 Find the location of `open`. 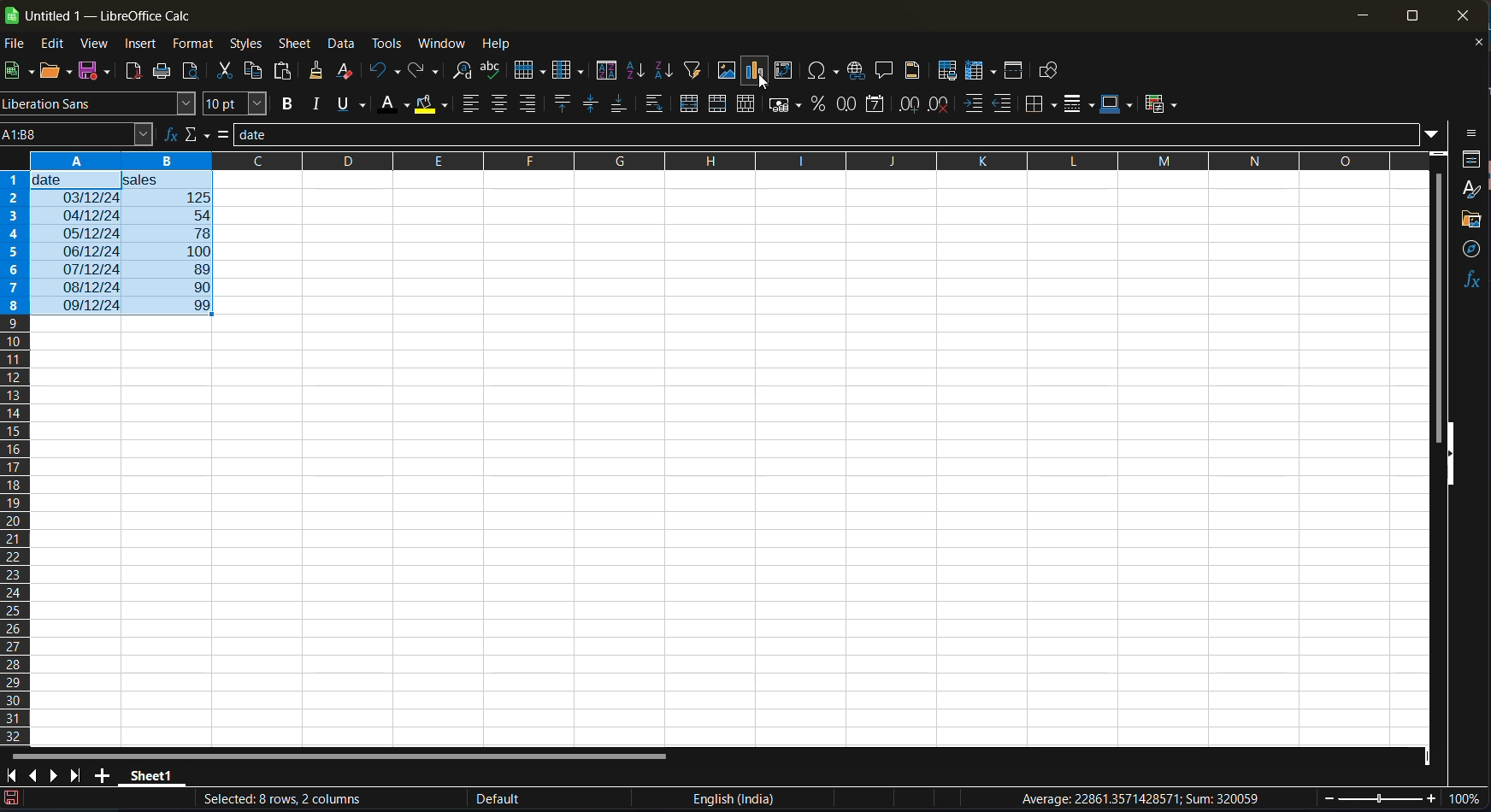

open is located at coordinates (50, 72).